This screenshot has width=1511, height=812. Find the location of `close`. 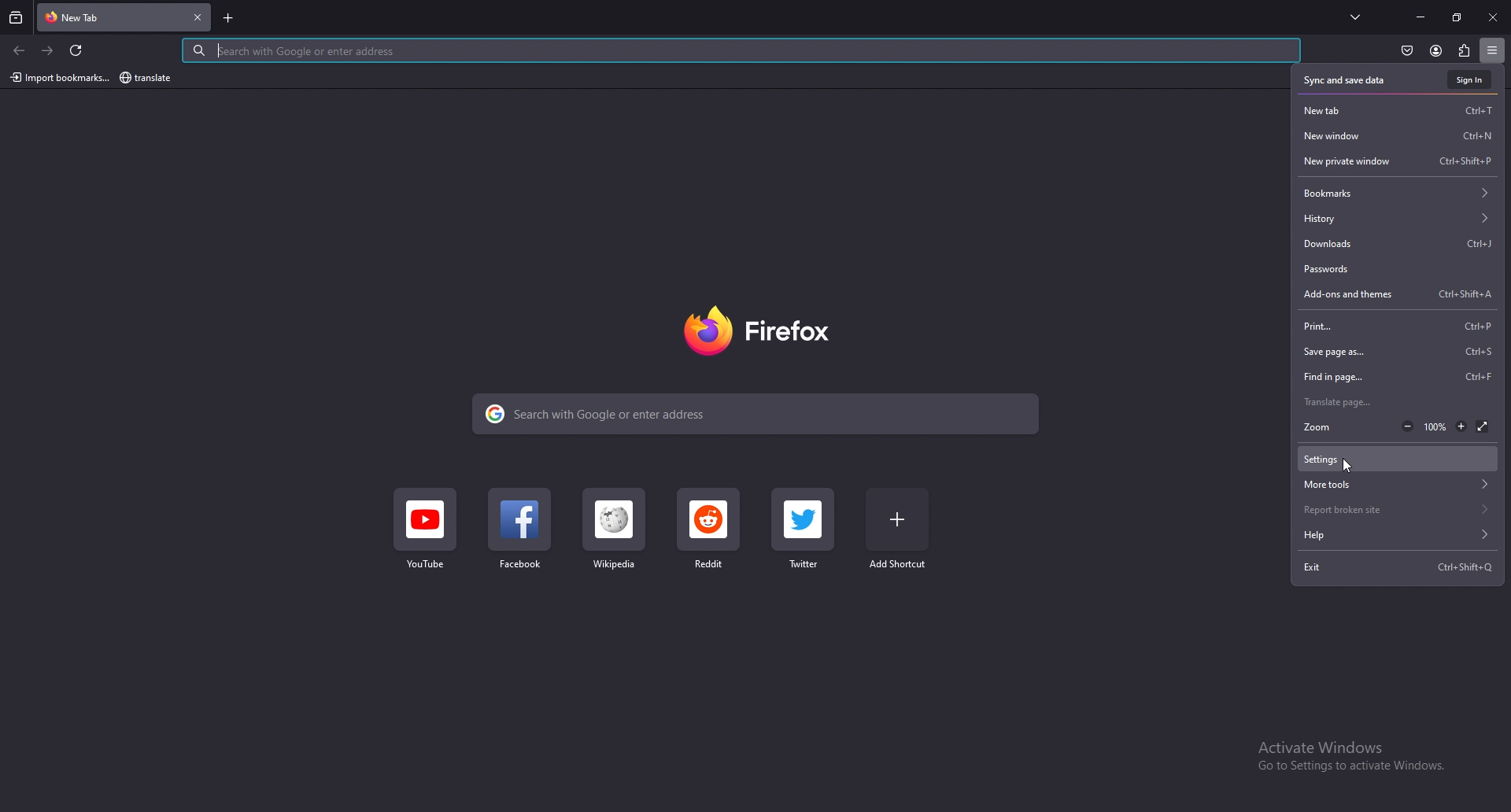

close is located at coordinates (1492, 18).